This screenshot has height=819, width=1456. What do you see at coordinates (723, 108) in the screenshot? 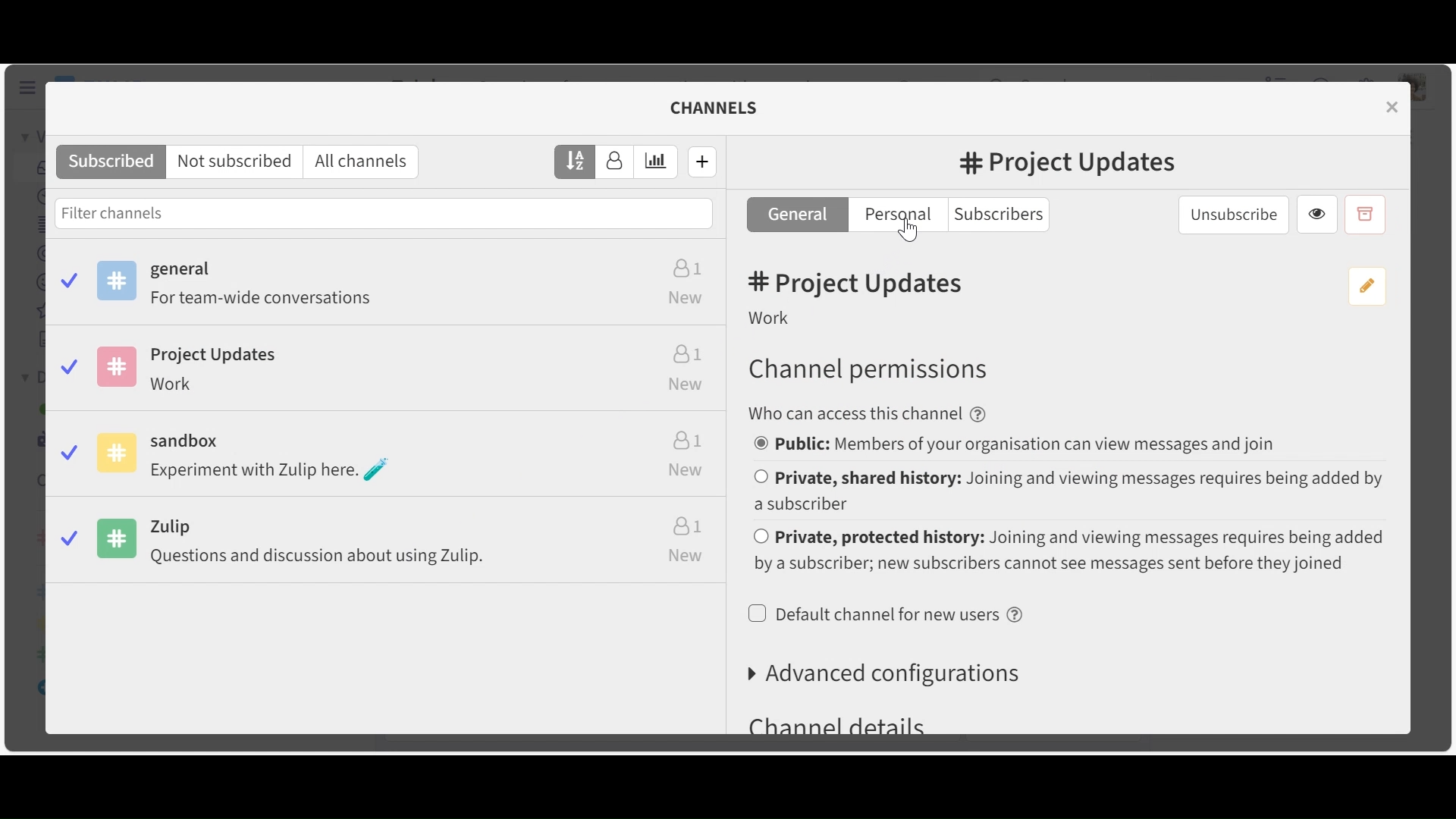
I see `channels` at bounding box center [723, 108].